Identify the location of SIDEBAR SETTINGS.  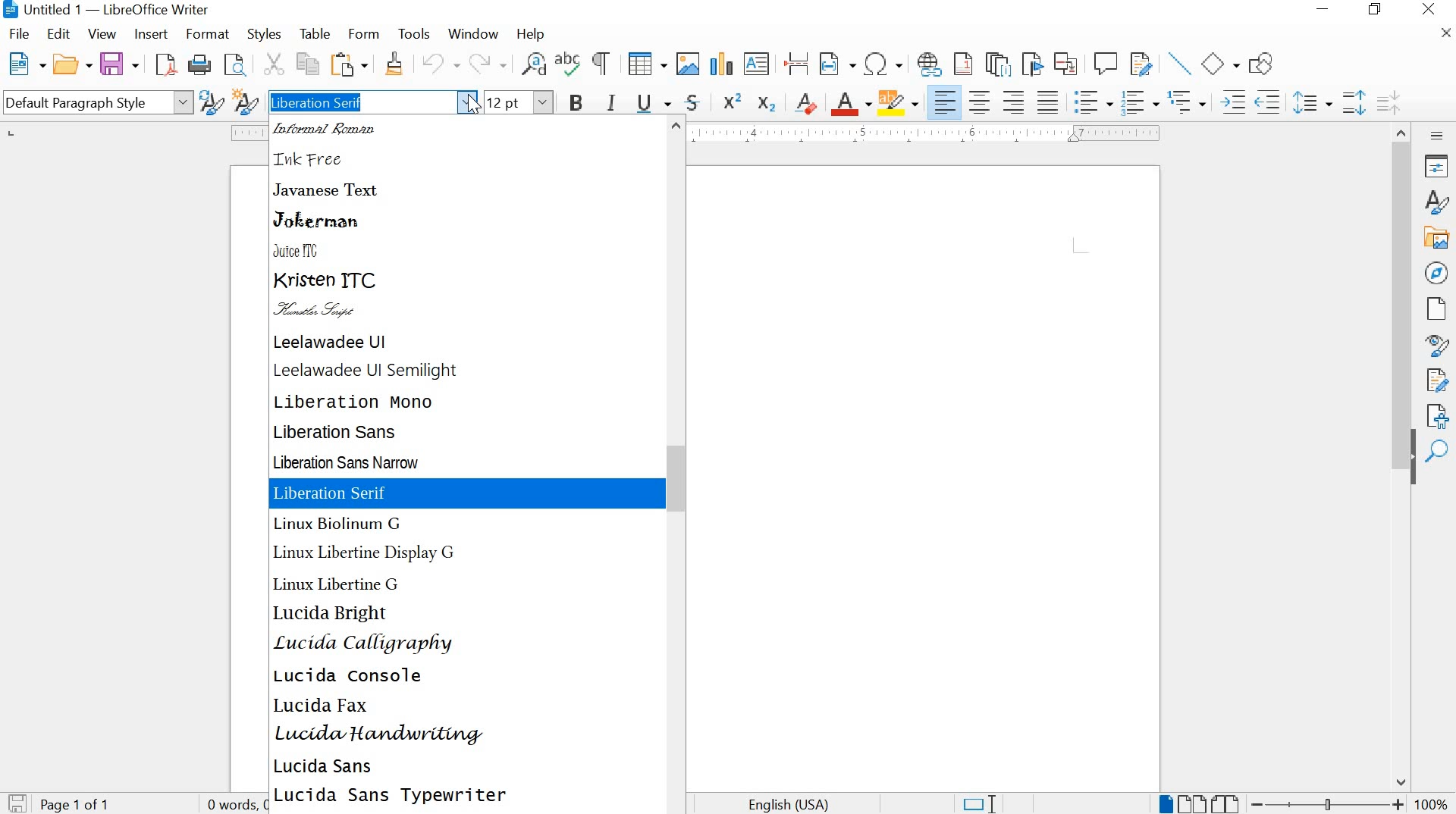
(1437, 136).